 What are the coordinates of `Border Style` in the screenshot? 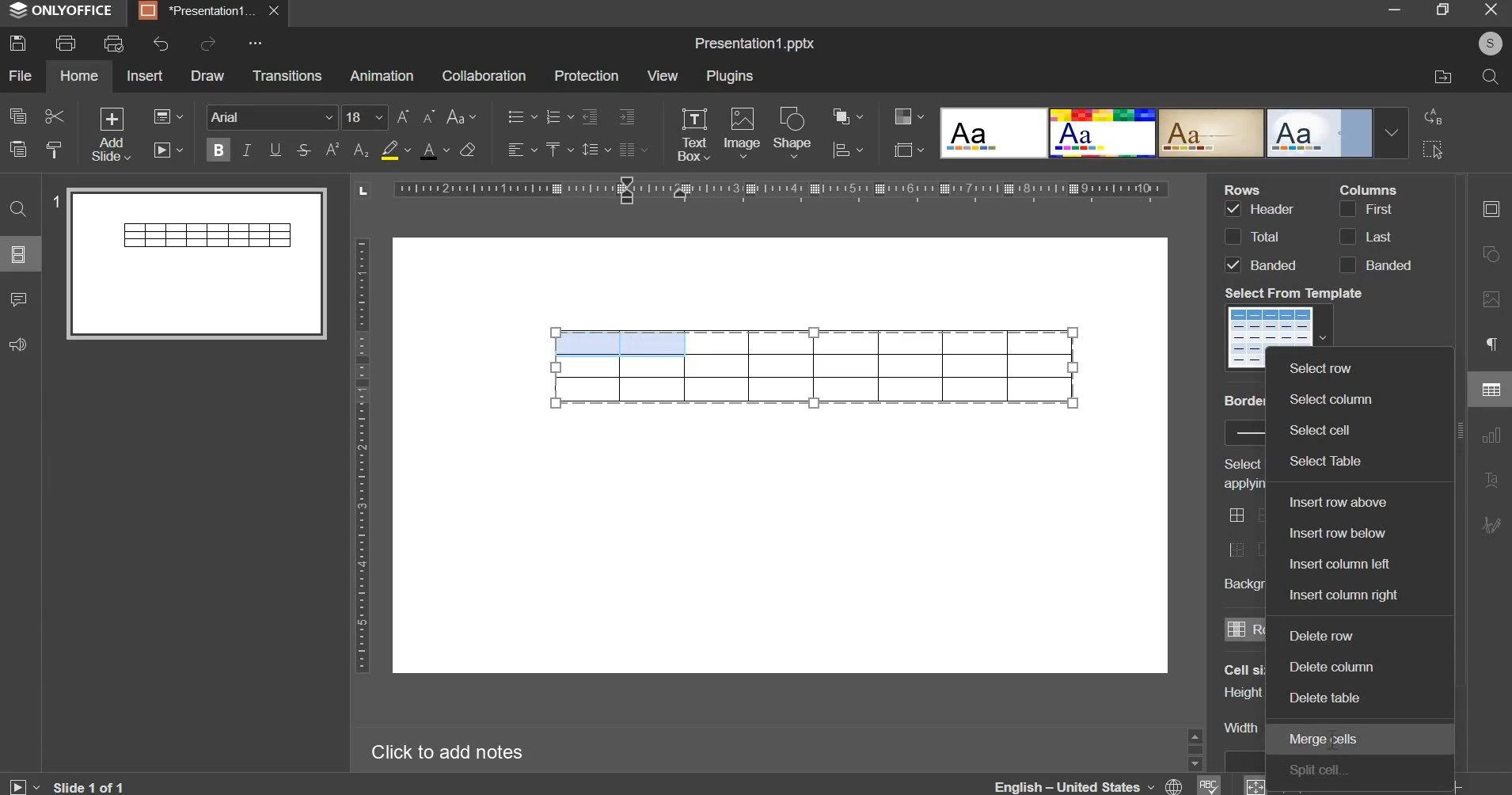 It's located at (1247, 402).